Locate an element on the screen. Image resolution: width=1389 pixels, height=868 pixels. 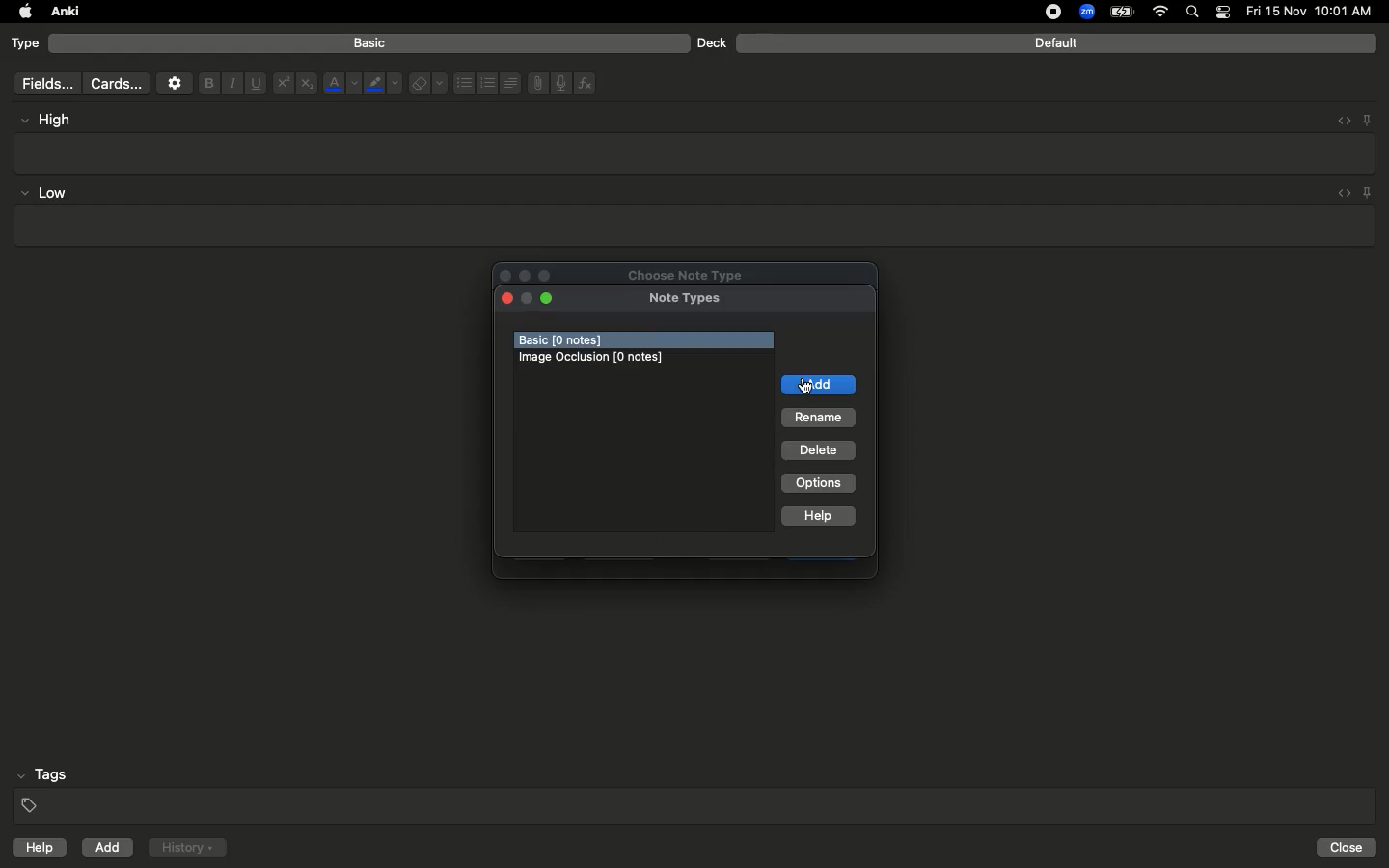
Eraser is located at coordinates (427, 84).